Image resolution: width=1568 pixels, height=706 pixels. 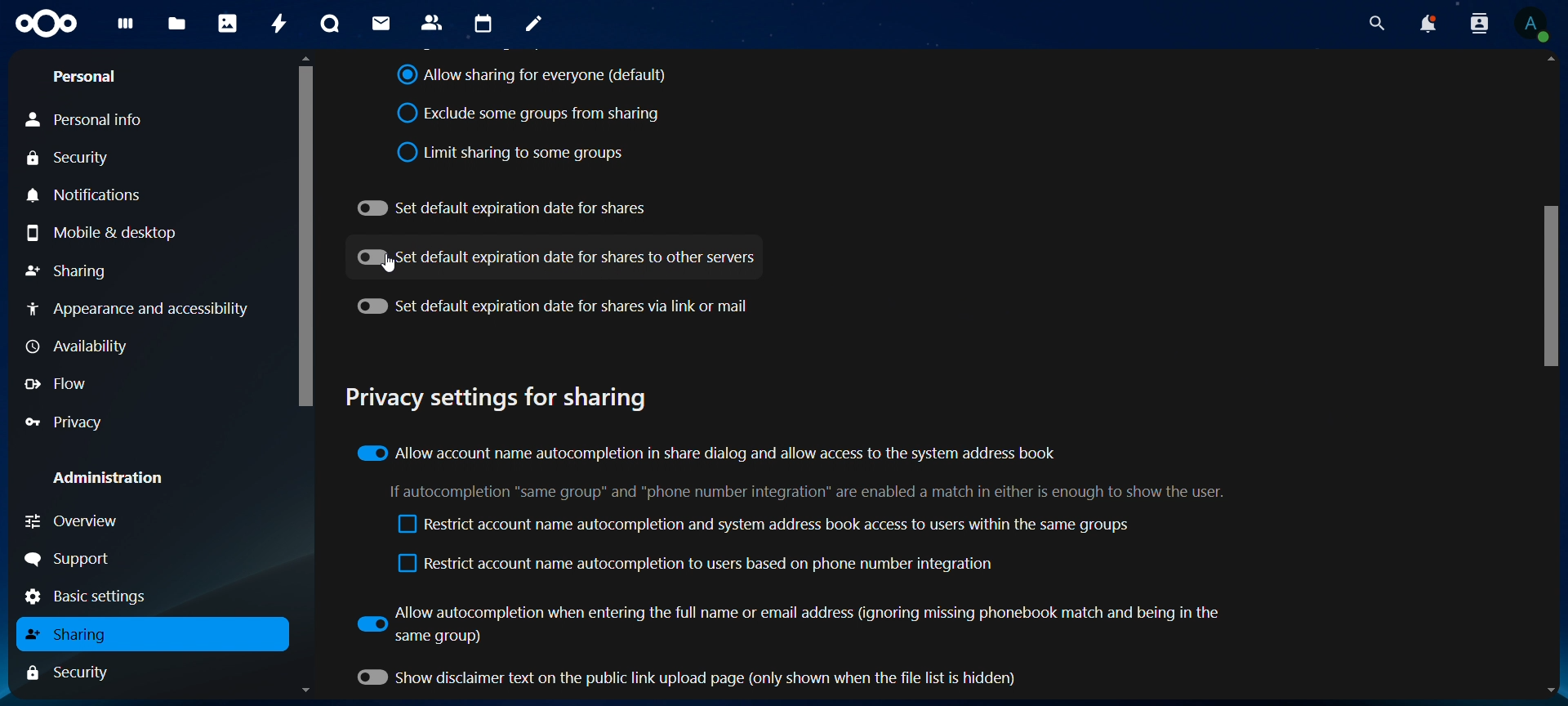 What do you see at coordinates (494, 395) in the screenshot?
I see `privacy settings for sharing` at bounding box center [494, 395].